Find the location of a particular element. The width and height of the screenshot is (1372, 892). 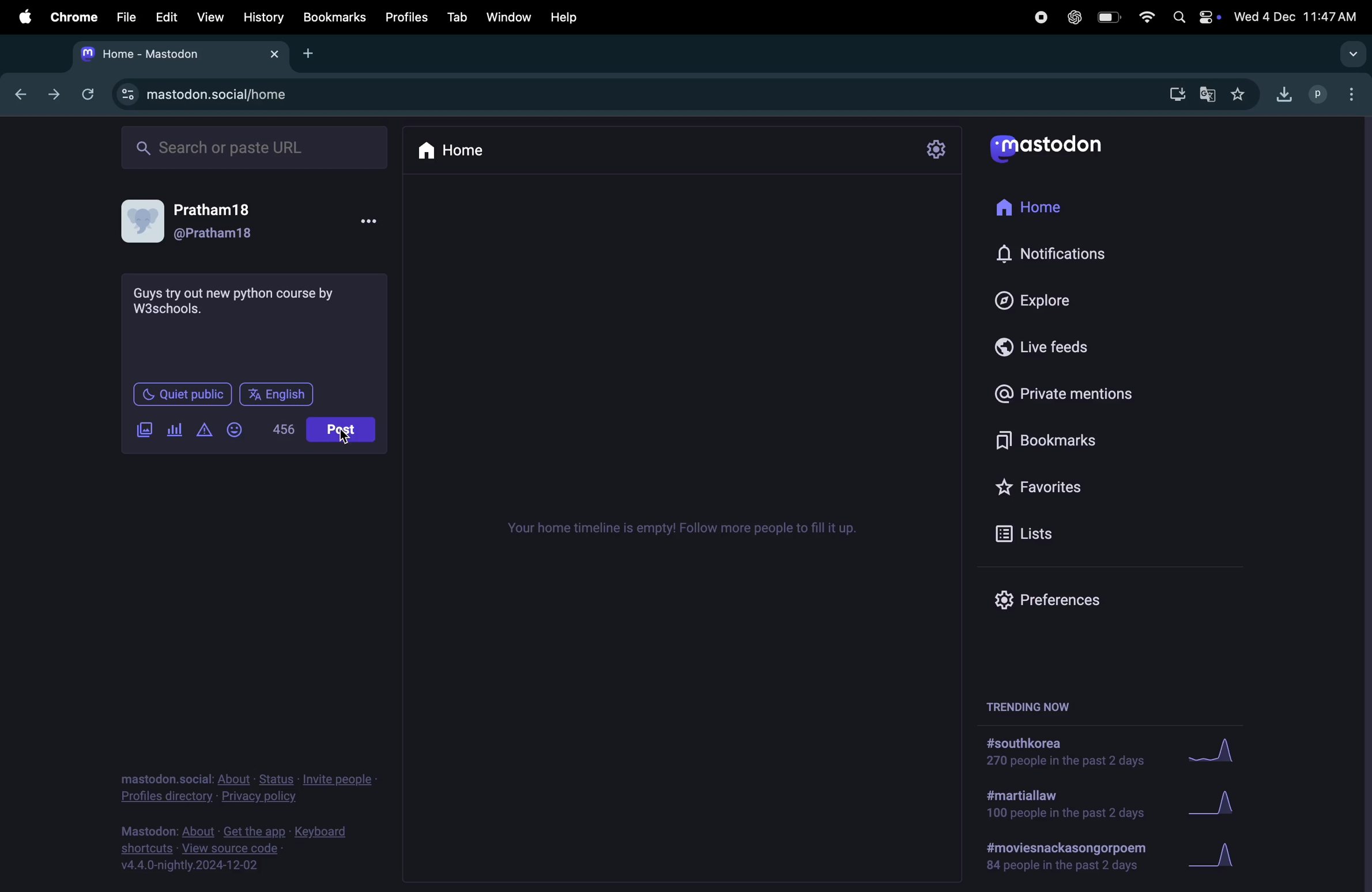

private  mentions is located at coordinates (1065, 392).